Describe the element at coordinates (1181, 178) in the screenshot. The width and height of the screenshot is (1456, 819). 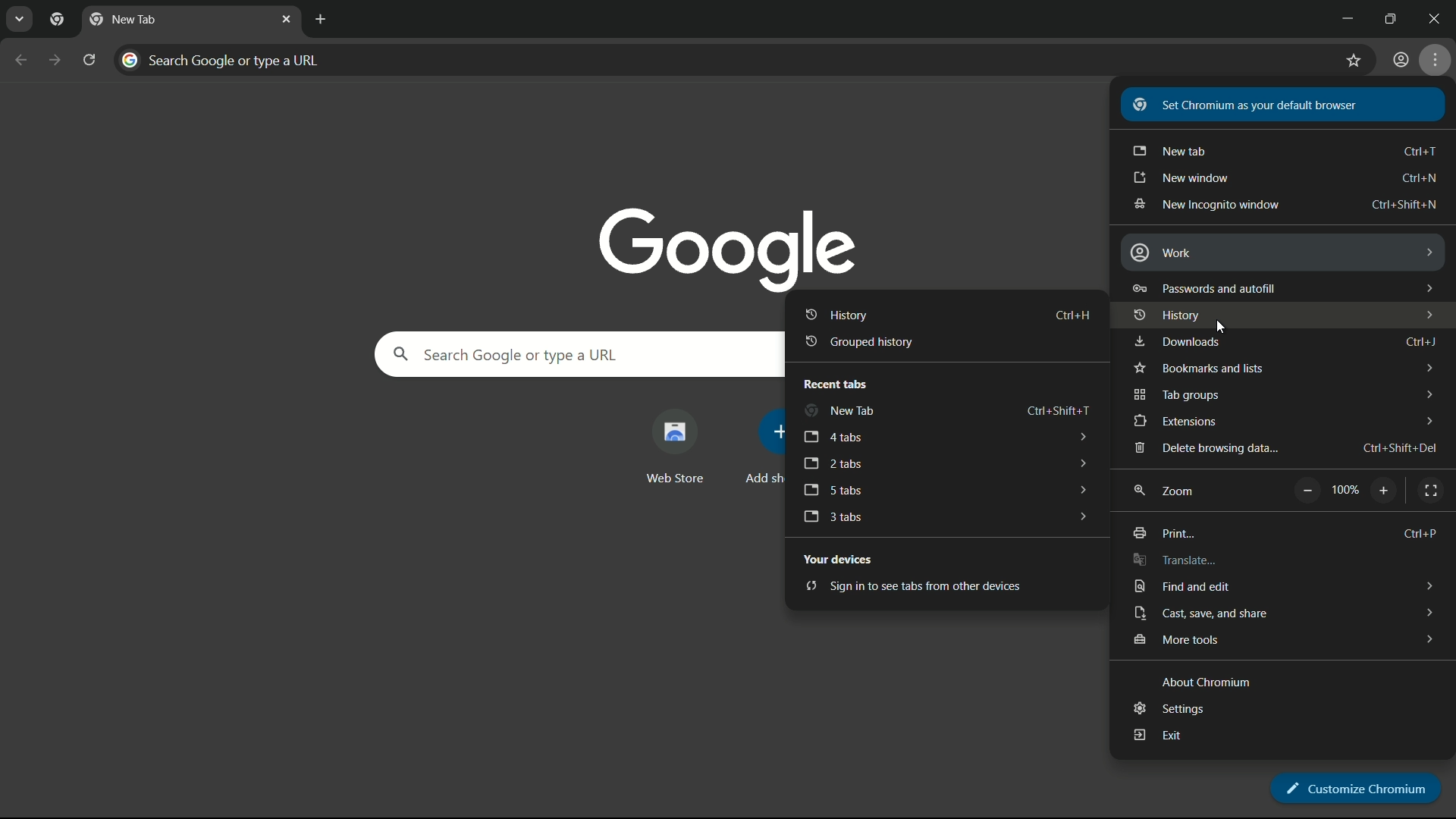
I see `new window` at that location.